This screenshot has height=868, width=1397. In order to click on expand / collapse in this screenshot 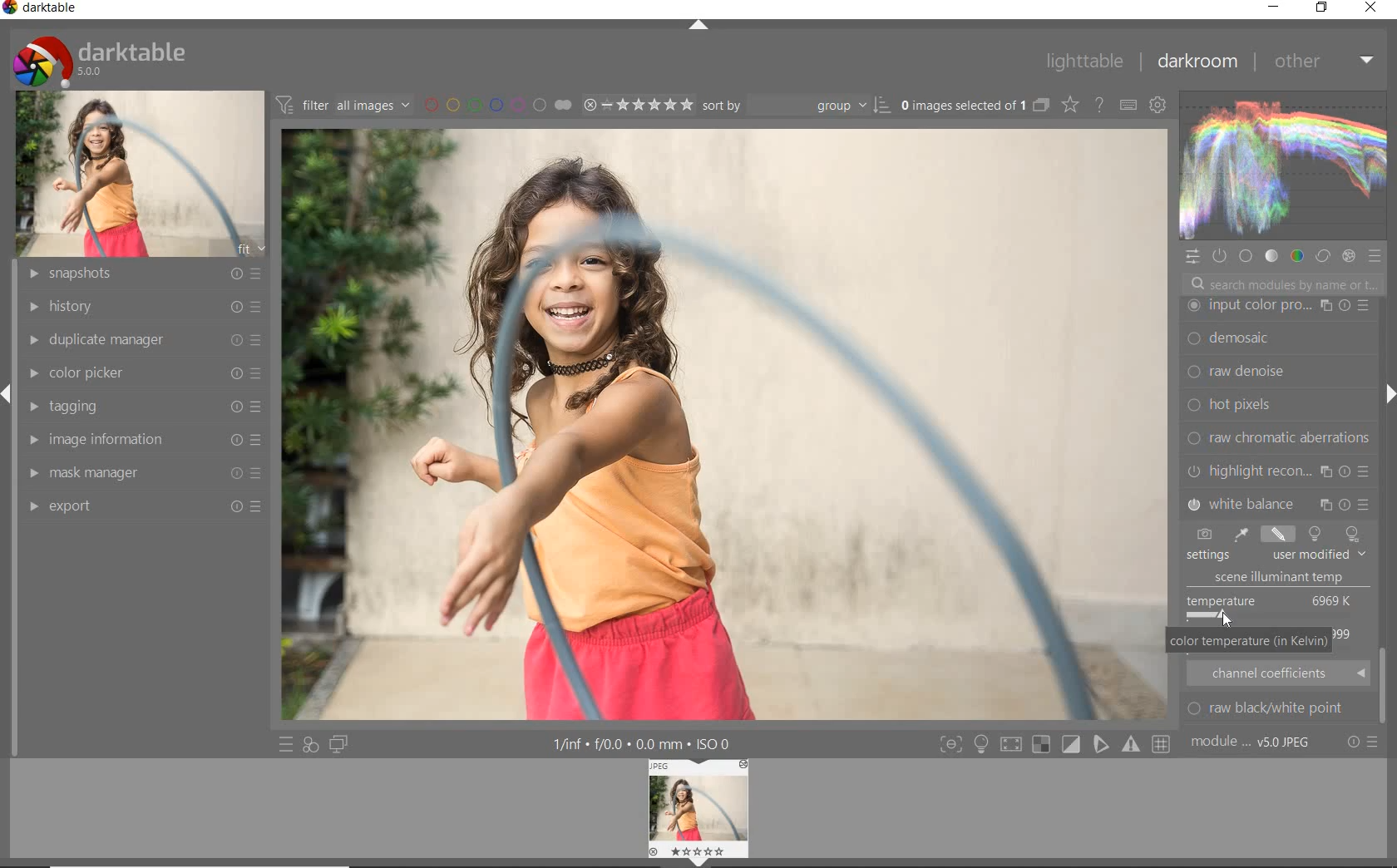, I will do `click(697, 28)`.